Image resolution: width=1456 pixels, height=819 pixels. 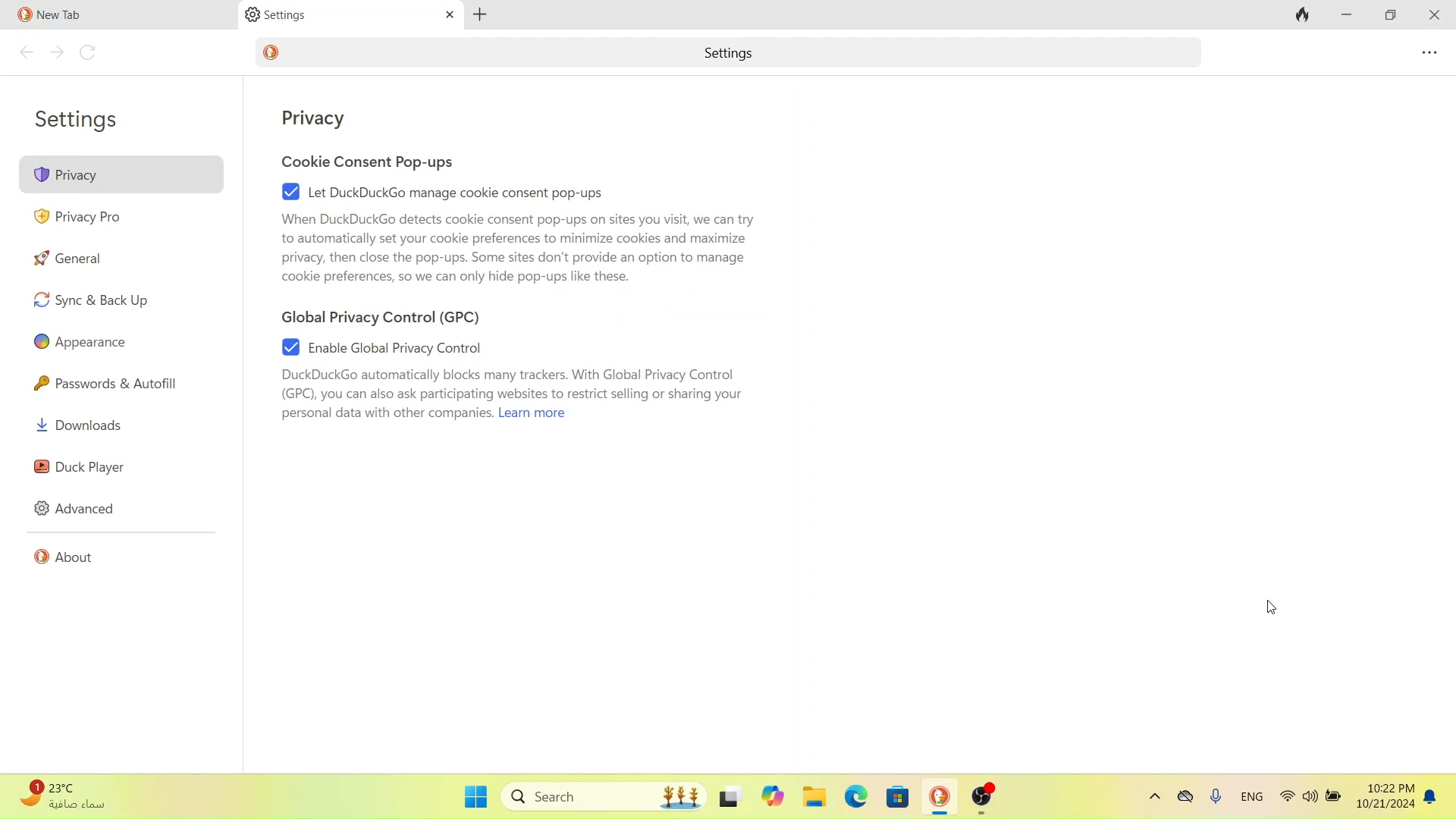 What do you see at coordinates (1273, 608) in the screenshot?
I see `cursor` at bounding box center [1273, 608].